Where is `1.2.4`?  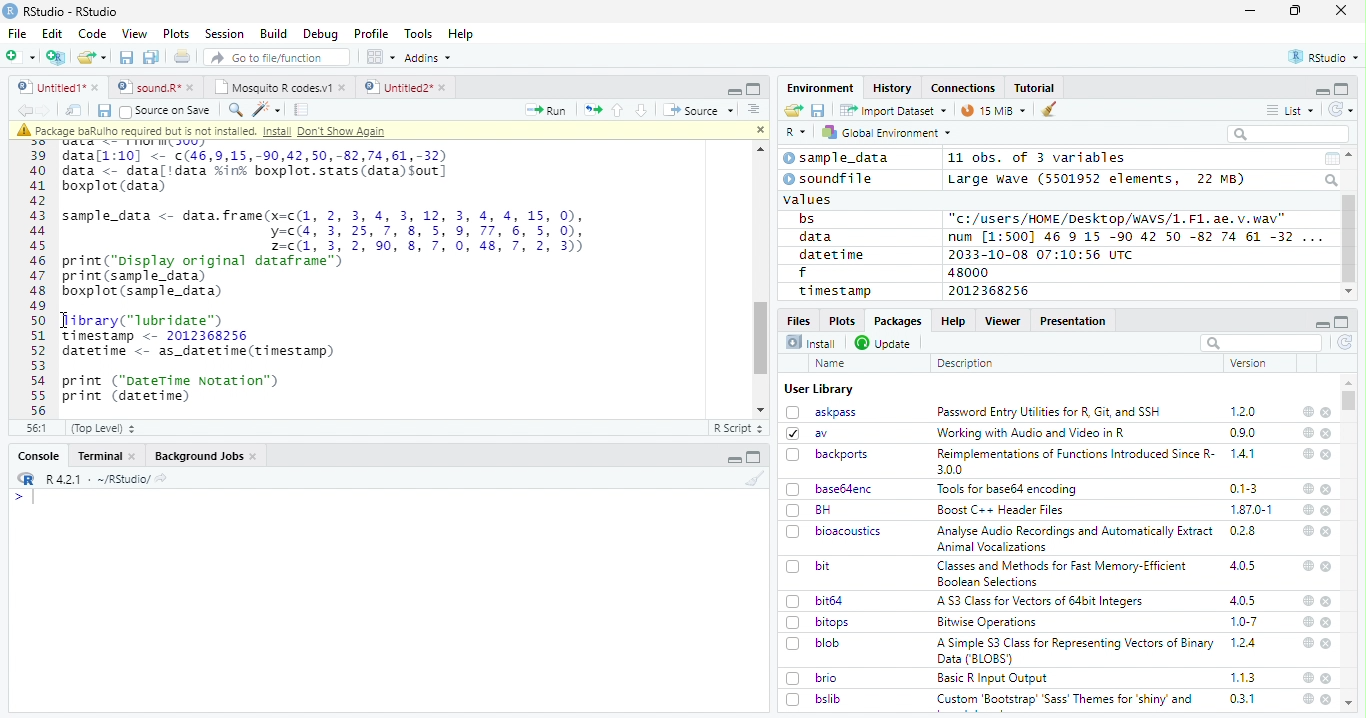 1.2.4 is located at coordinates (1245, 642).